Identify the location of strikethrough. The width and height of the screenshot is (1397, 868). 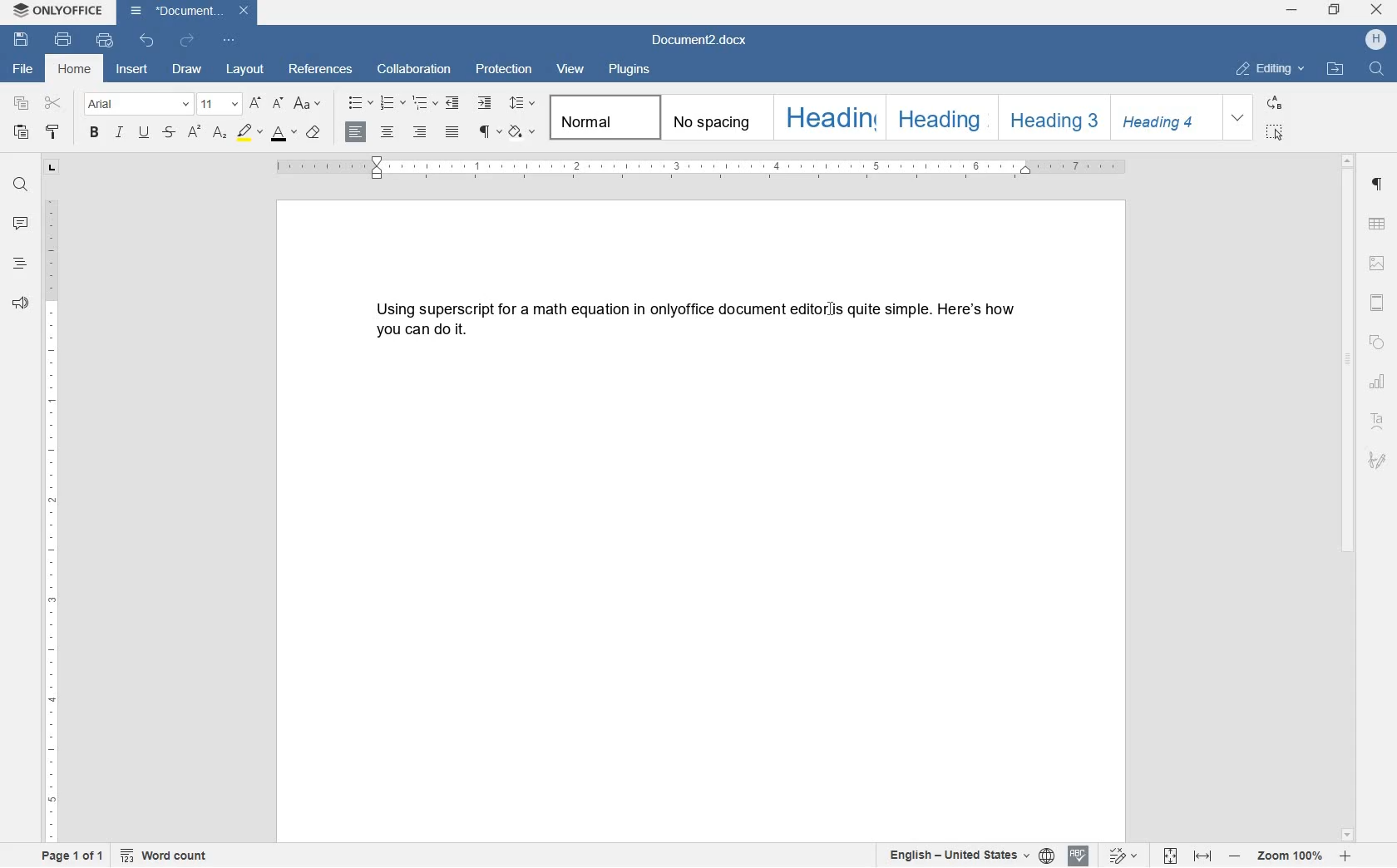
(169, 133).